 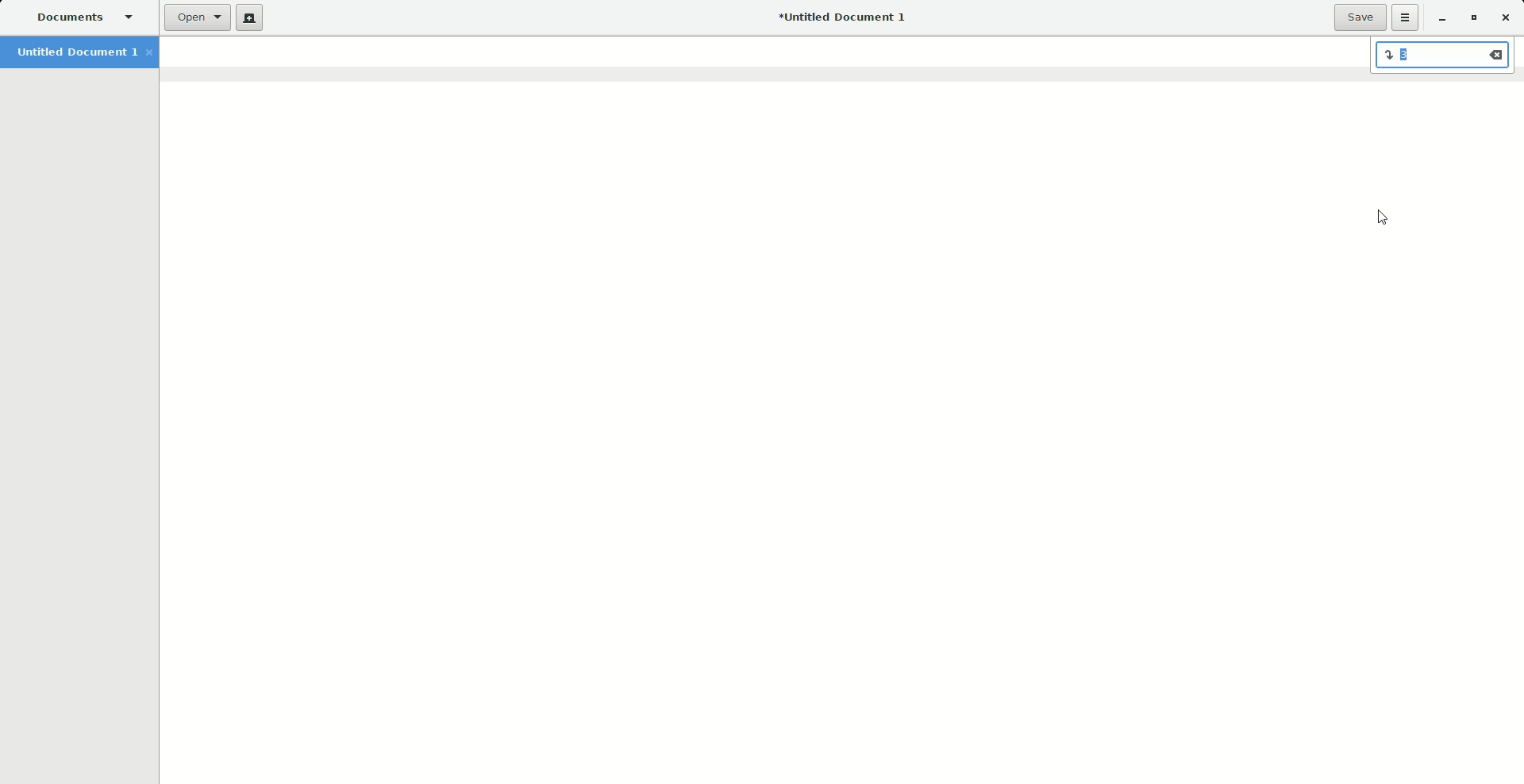 I want to click on Close, so click(x=1506, y=17).